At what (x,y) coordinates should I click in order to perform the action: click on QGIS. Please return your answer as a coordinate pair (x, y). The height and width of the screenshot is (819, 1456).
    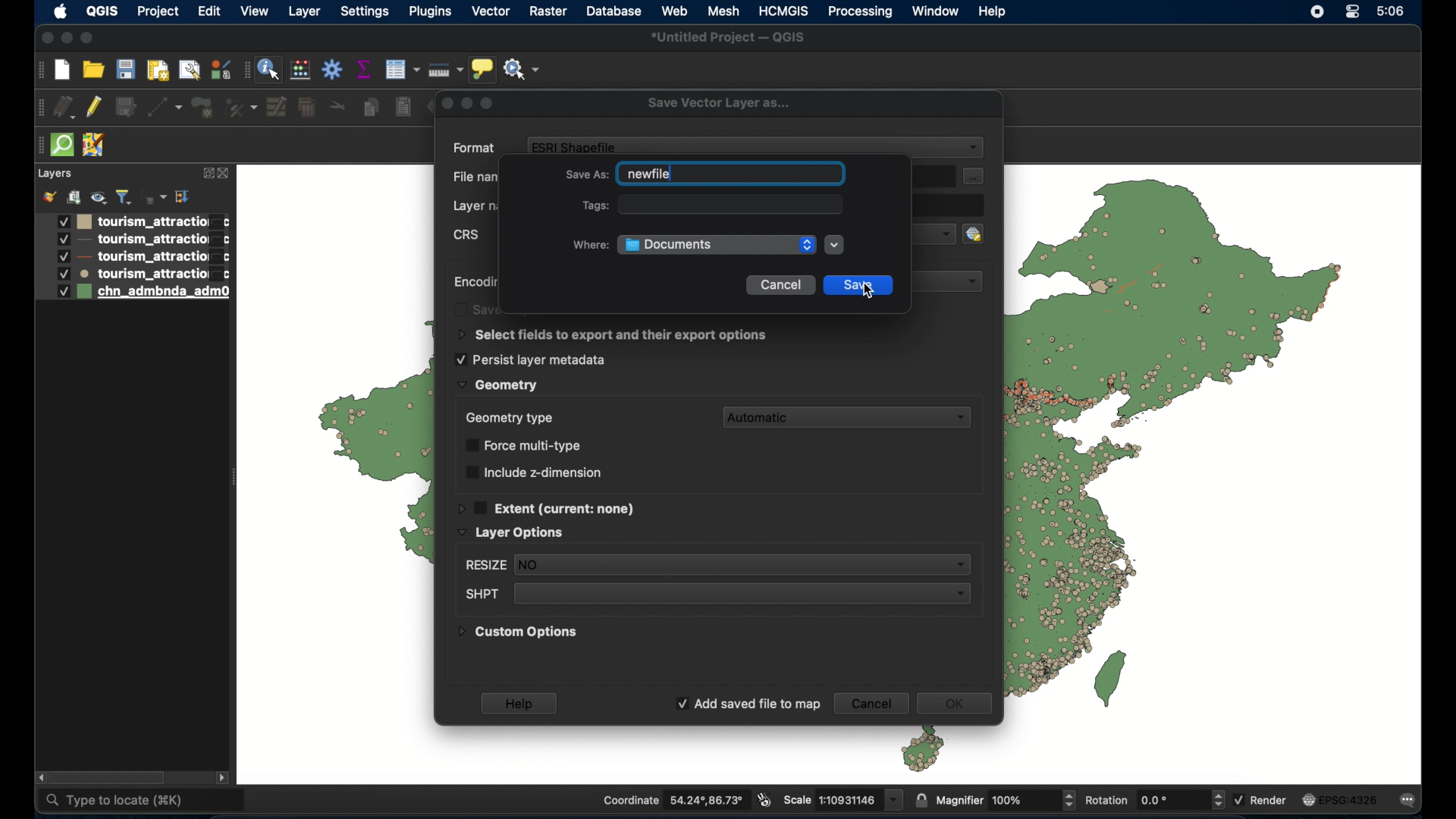
    Looking at the image, I should click on (102, 11).